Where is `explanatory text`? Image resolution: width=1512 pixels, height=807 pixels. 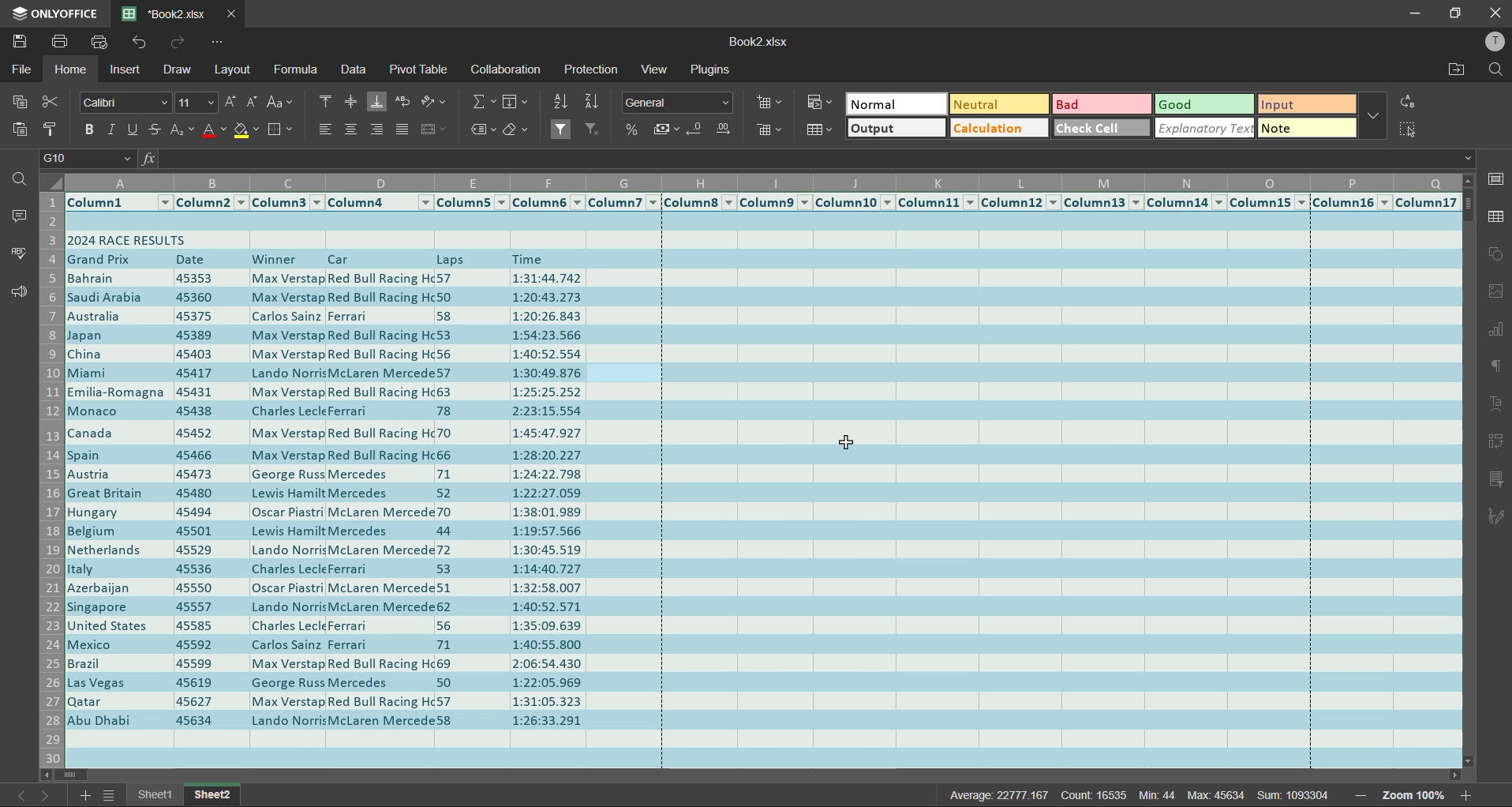 explanatory text is located at coordinates (1207, 128).